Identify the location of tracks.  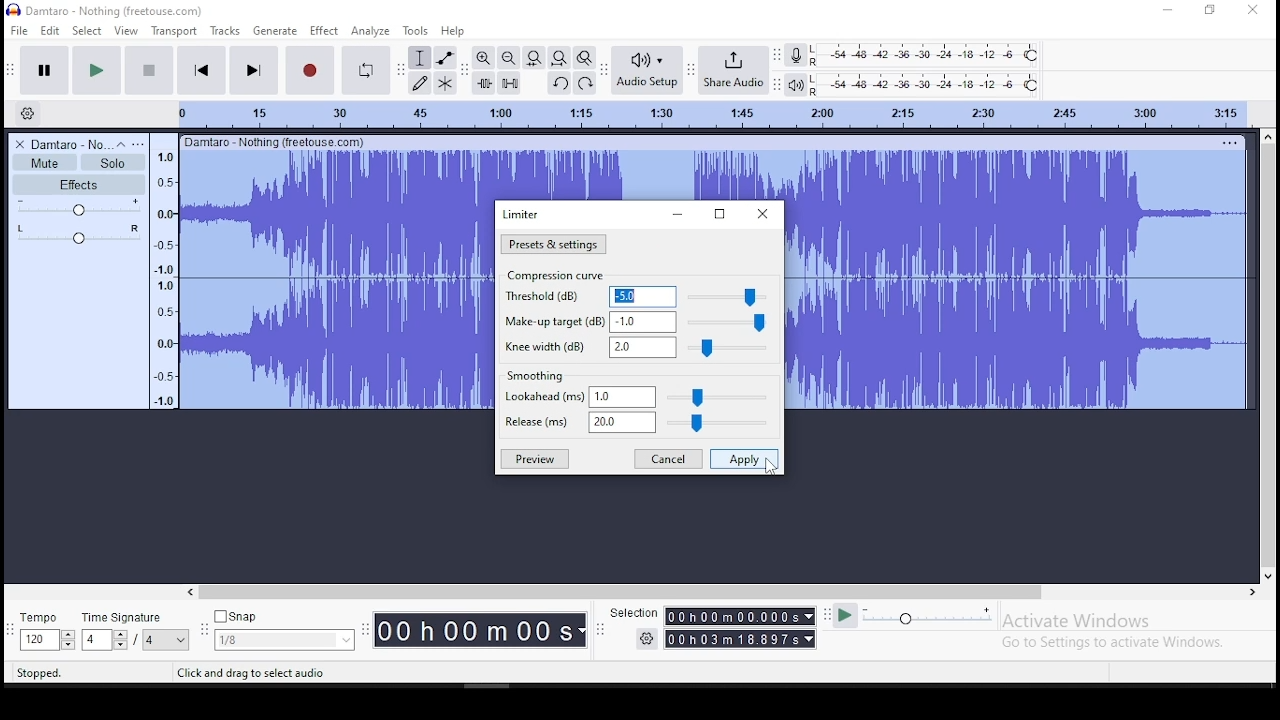
(225, 30).